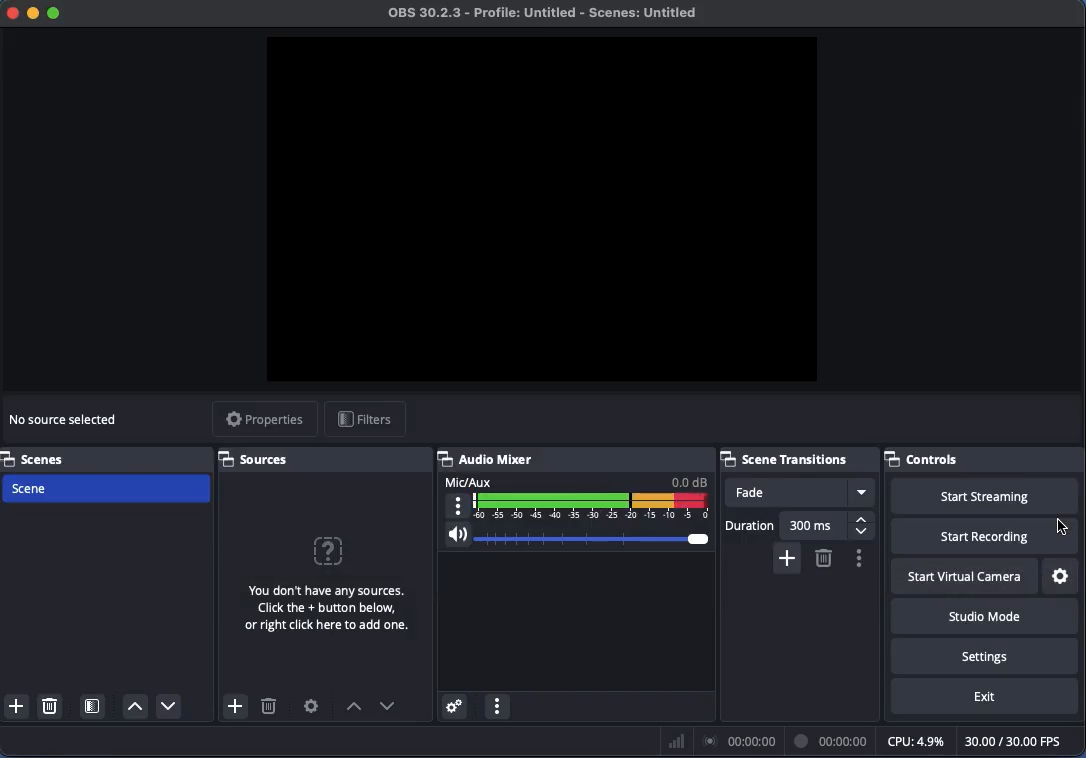  What do you see at coordinates (690, 481) in the screenshot?
I see `dB` at bounding box center [690, 481].